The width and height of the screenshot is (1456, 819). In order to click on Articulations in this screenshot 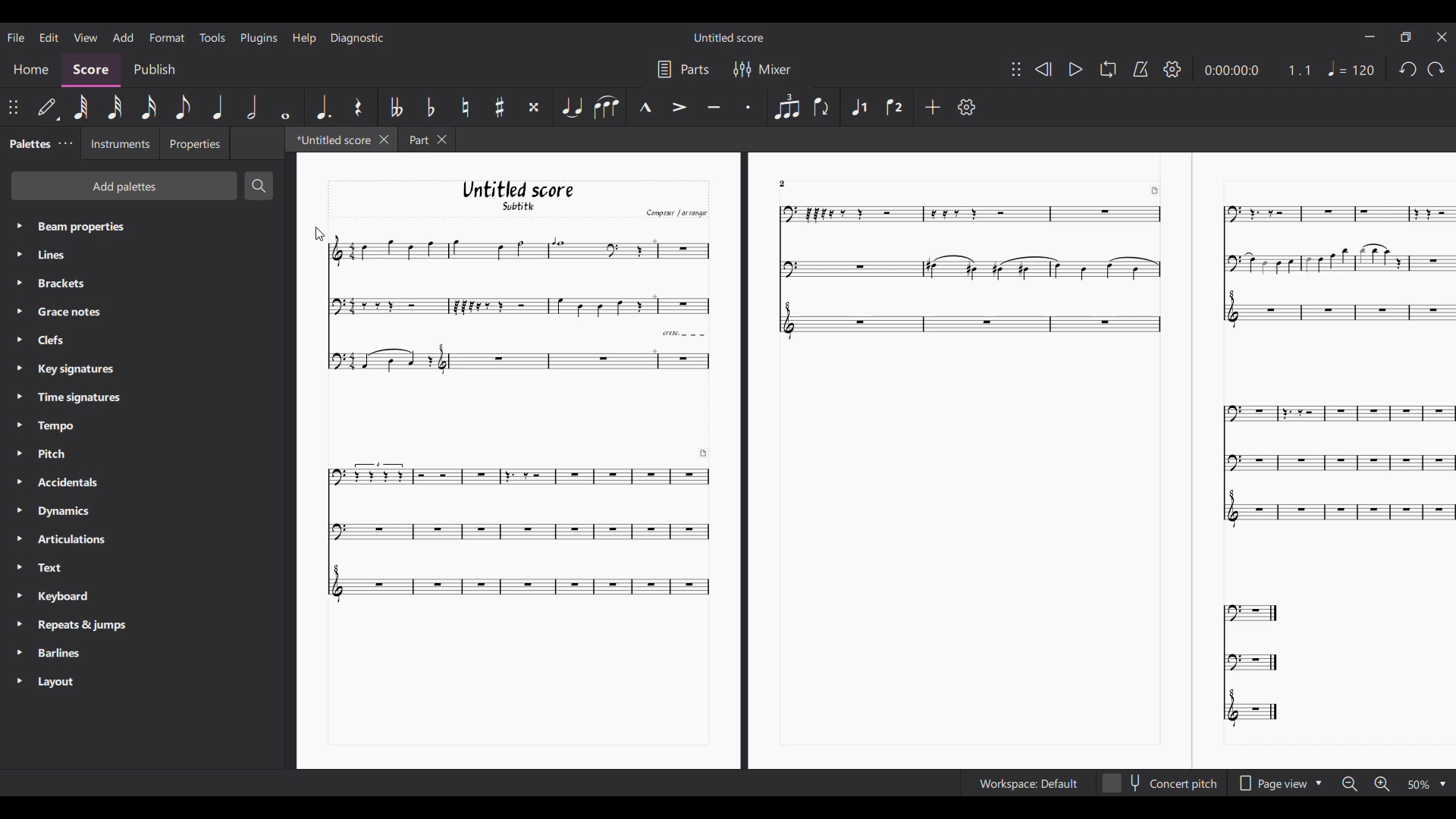, I will do `click(76, 538)`.